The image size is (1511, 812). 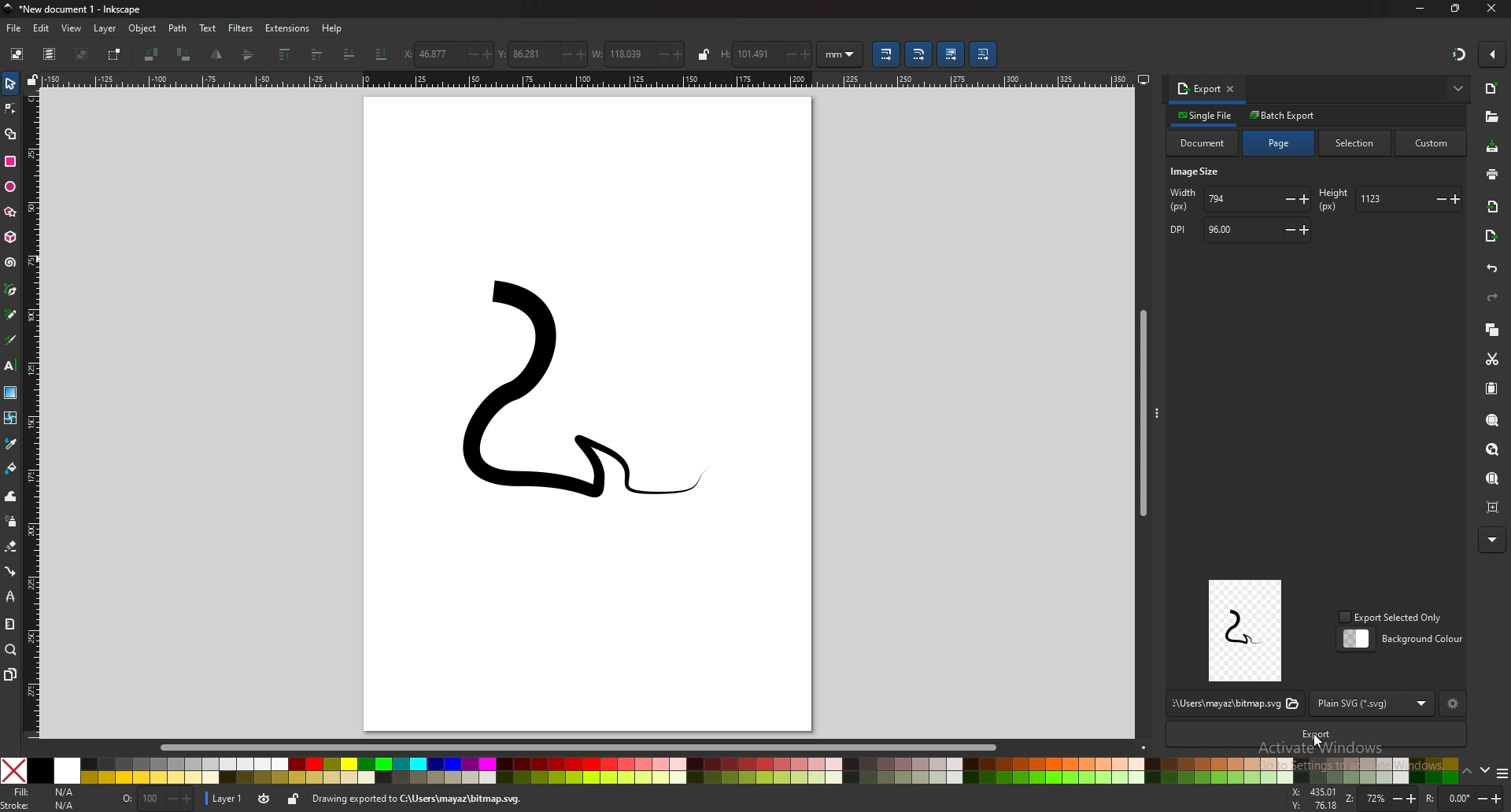 I want to click on batch export, so click(x=1284, y=115).